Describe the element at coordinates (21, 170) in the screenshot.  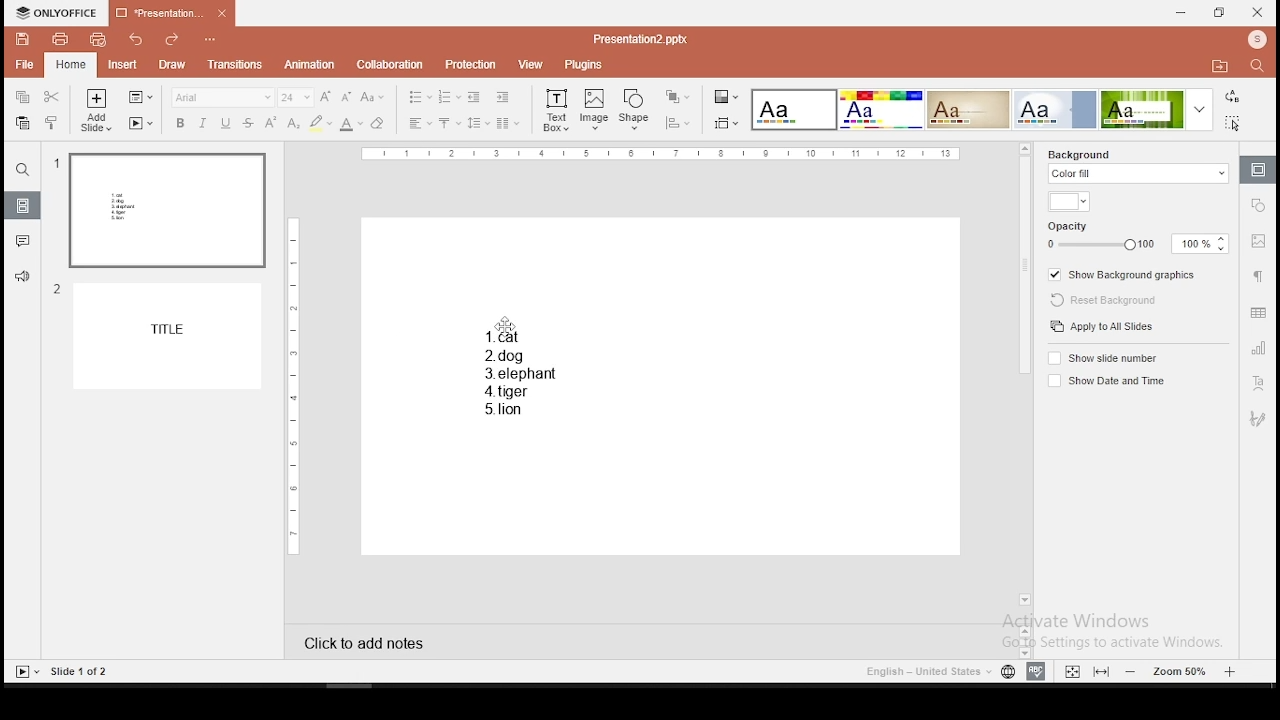
I see `find` at that location.